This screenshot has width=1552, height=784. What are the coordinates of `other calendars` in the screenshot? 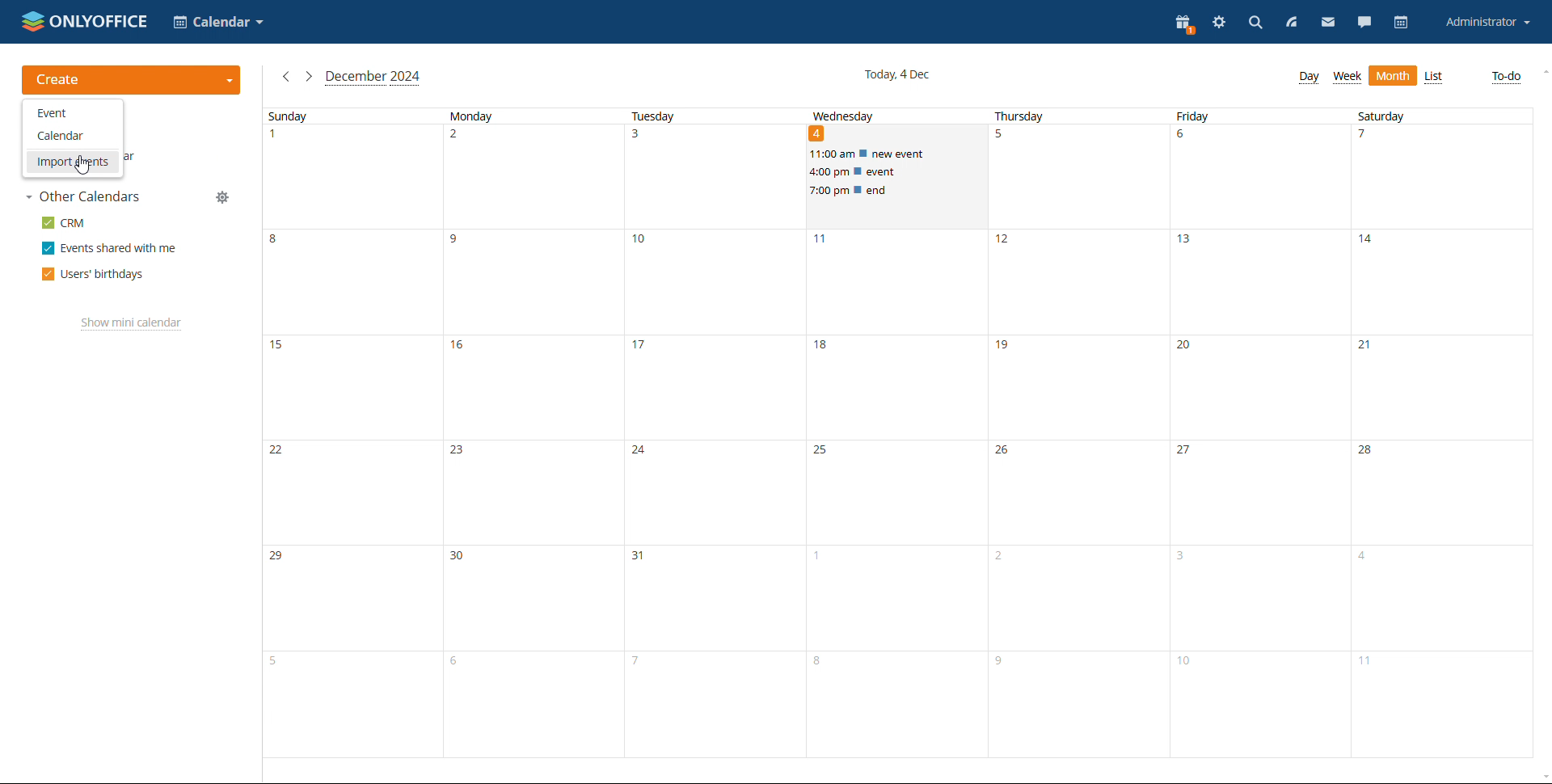 It's located at (81, 197).